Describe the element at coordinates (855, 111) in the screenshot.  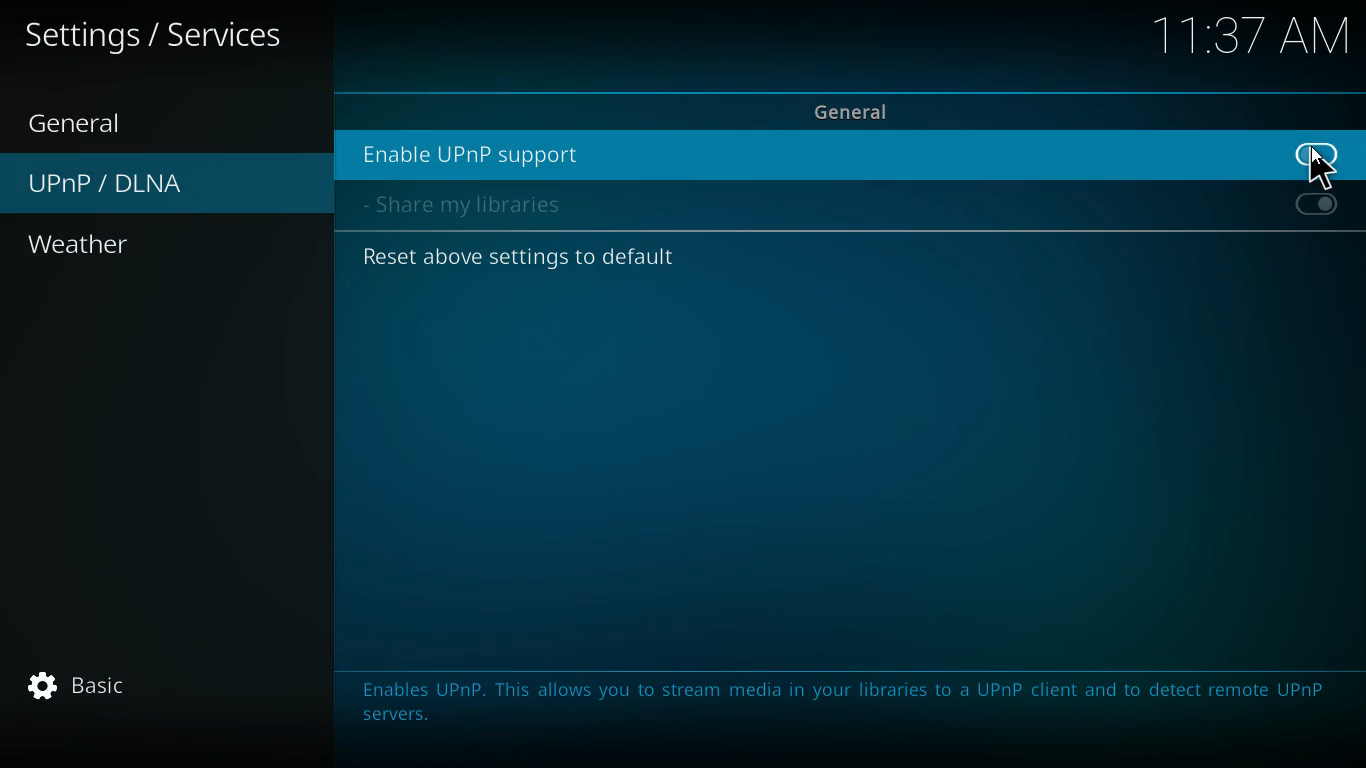
I see `general` at that location.